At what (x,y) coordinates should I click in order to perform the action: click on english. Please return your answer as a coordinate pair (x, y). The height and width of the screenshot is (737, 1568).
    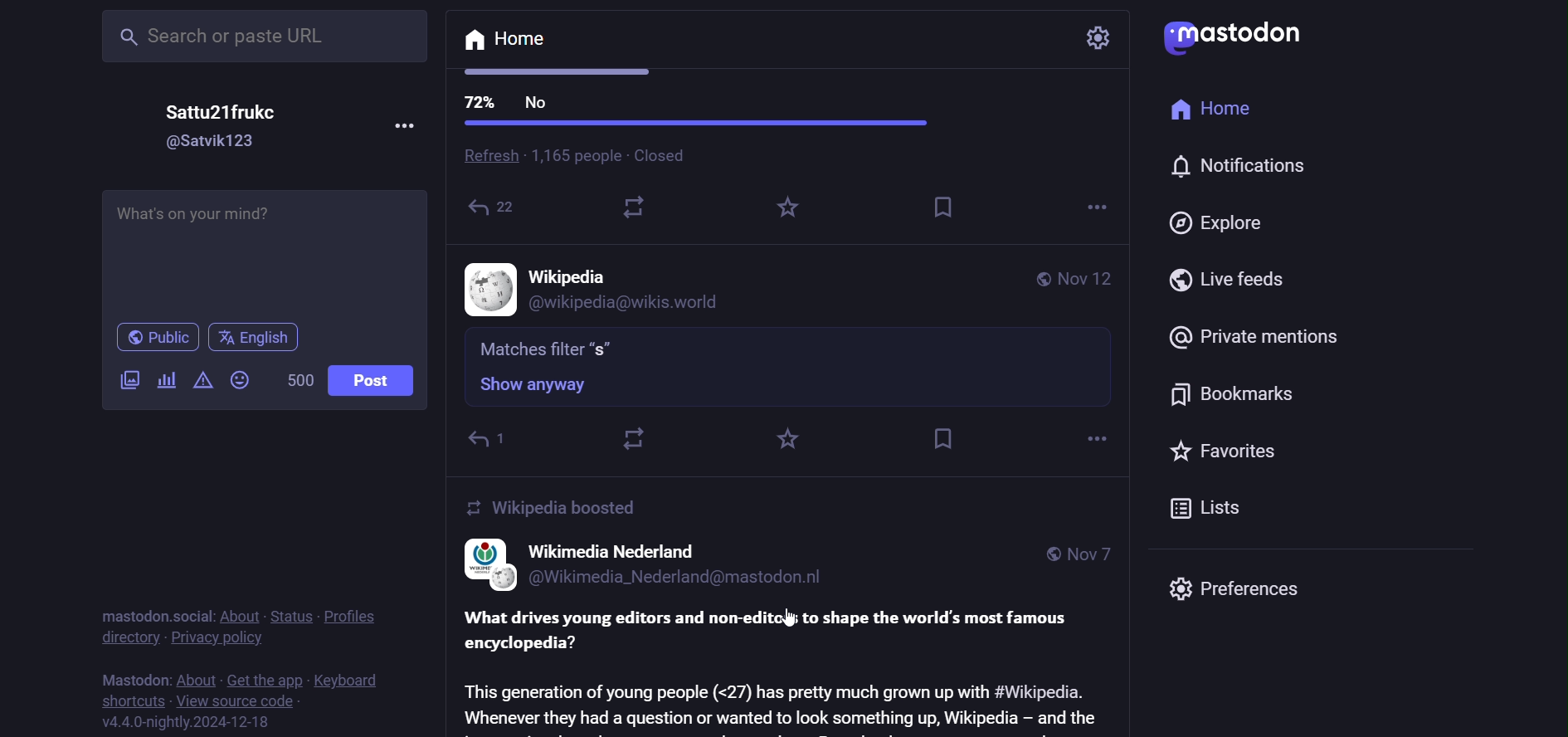
    Looking at the image, I should click on (254, 337).